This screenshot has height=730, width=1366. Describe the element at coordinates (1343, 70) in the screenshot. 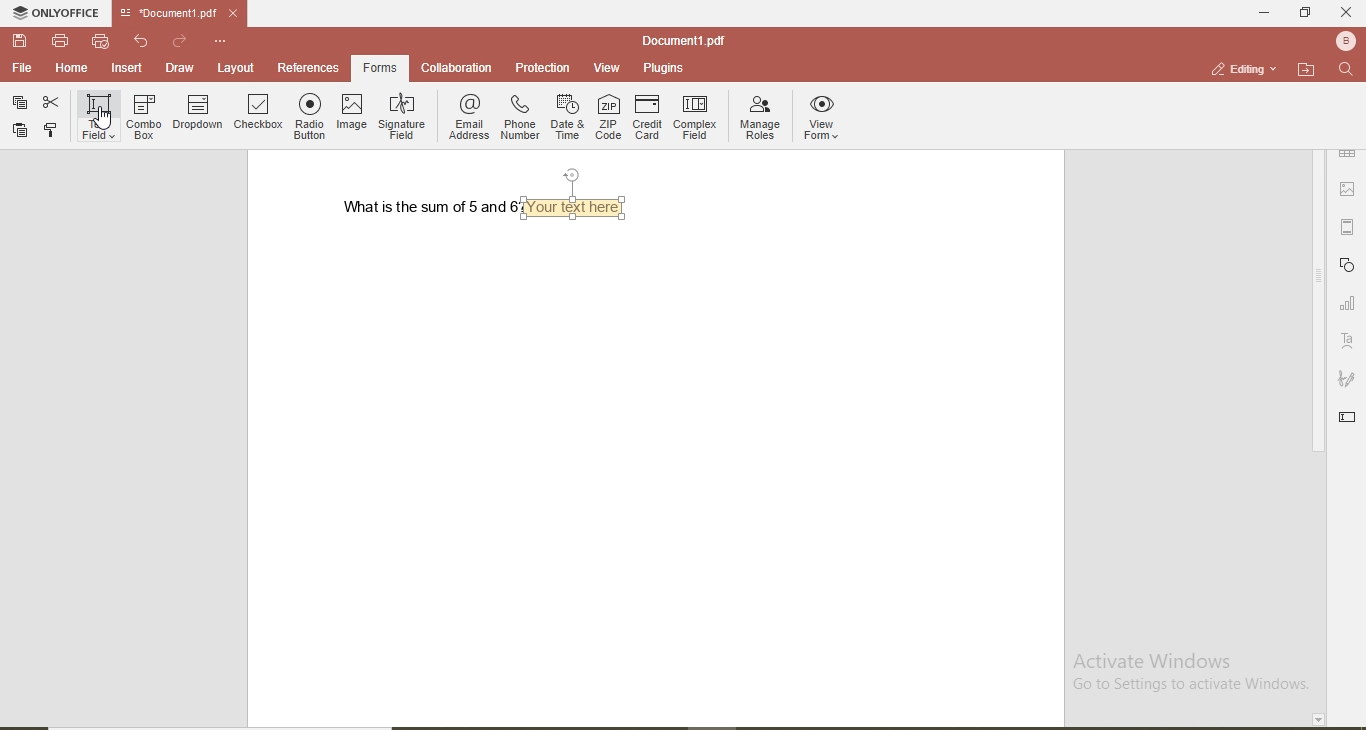

I see `search` at that location.